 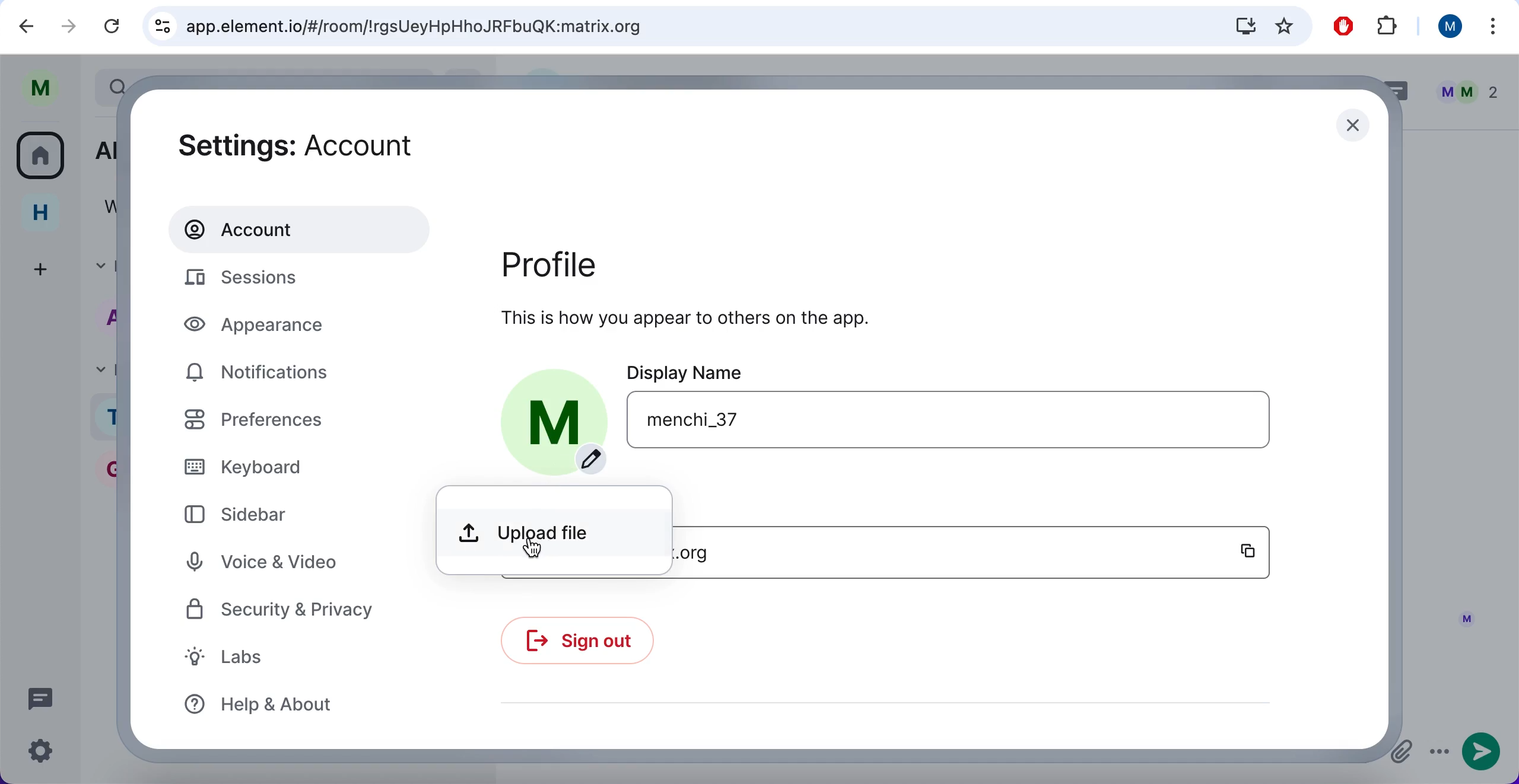 I want to click on forward, so click(x=68, y=28).